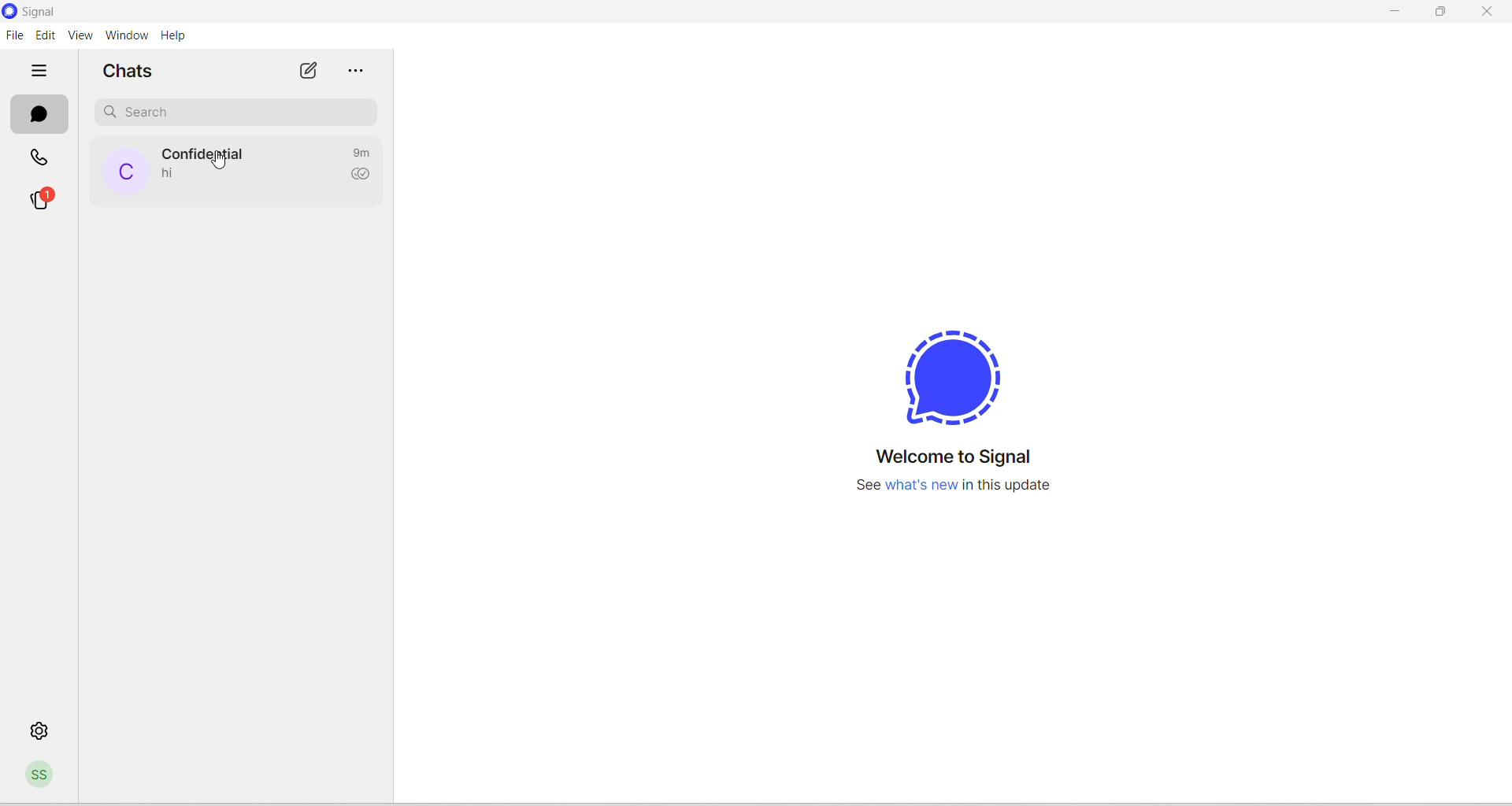 This screenshot has width=1512, height=806. What do you see at coordinates (126, 35) in the screenshot?
I see `window` at bounding box center [126, 35].